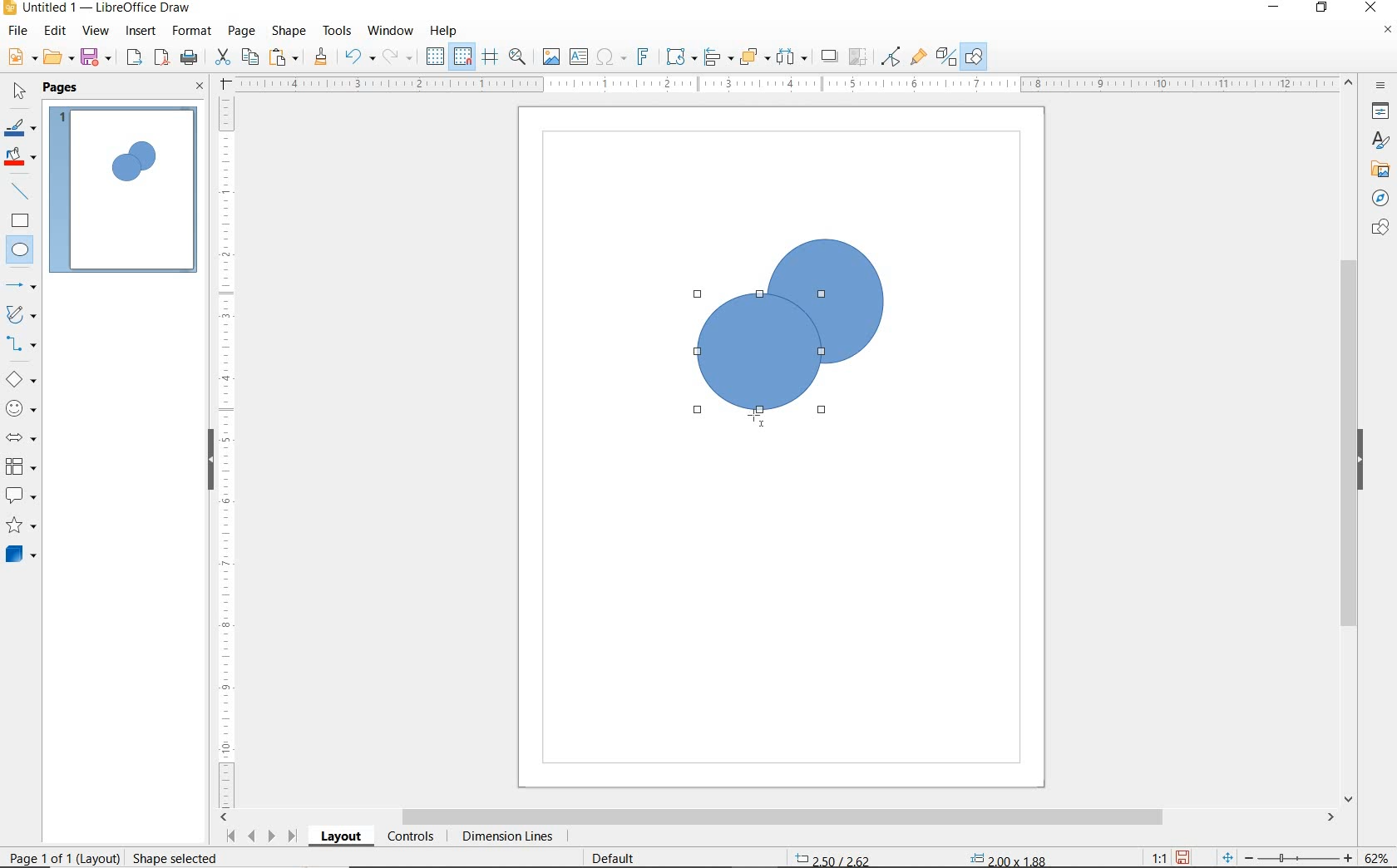  What do you see at coordinates (22, 408) in the screenshot?
I see `SYMBOL SHAPES` at bounding box center [22, 408].